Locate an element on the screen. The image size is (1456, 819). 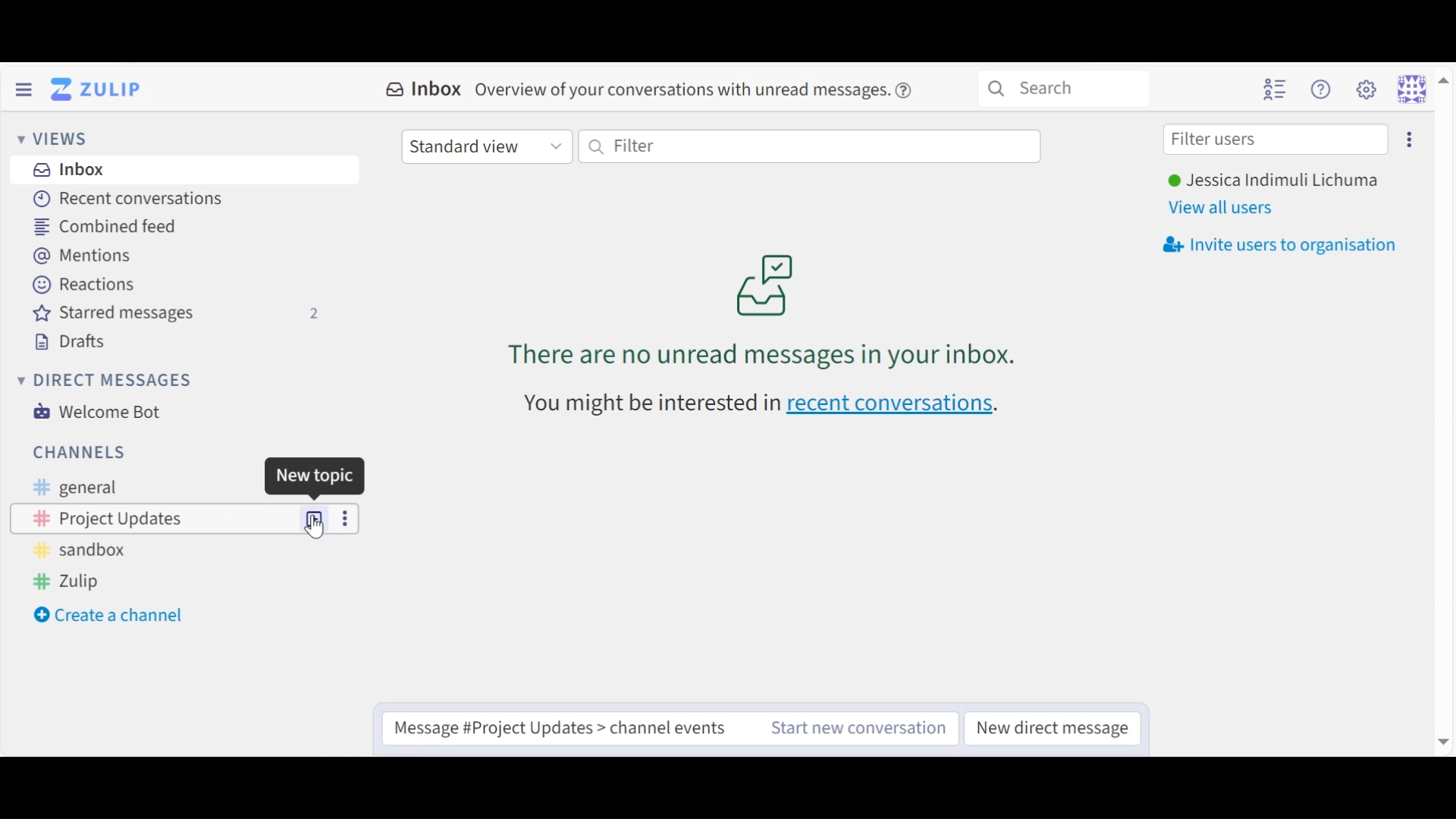
Channel is located at coordinates (155, 518).